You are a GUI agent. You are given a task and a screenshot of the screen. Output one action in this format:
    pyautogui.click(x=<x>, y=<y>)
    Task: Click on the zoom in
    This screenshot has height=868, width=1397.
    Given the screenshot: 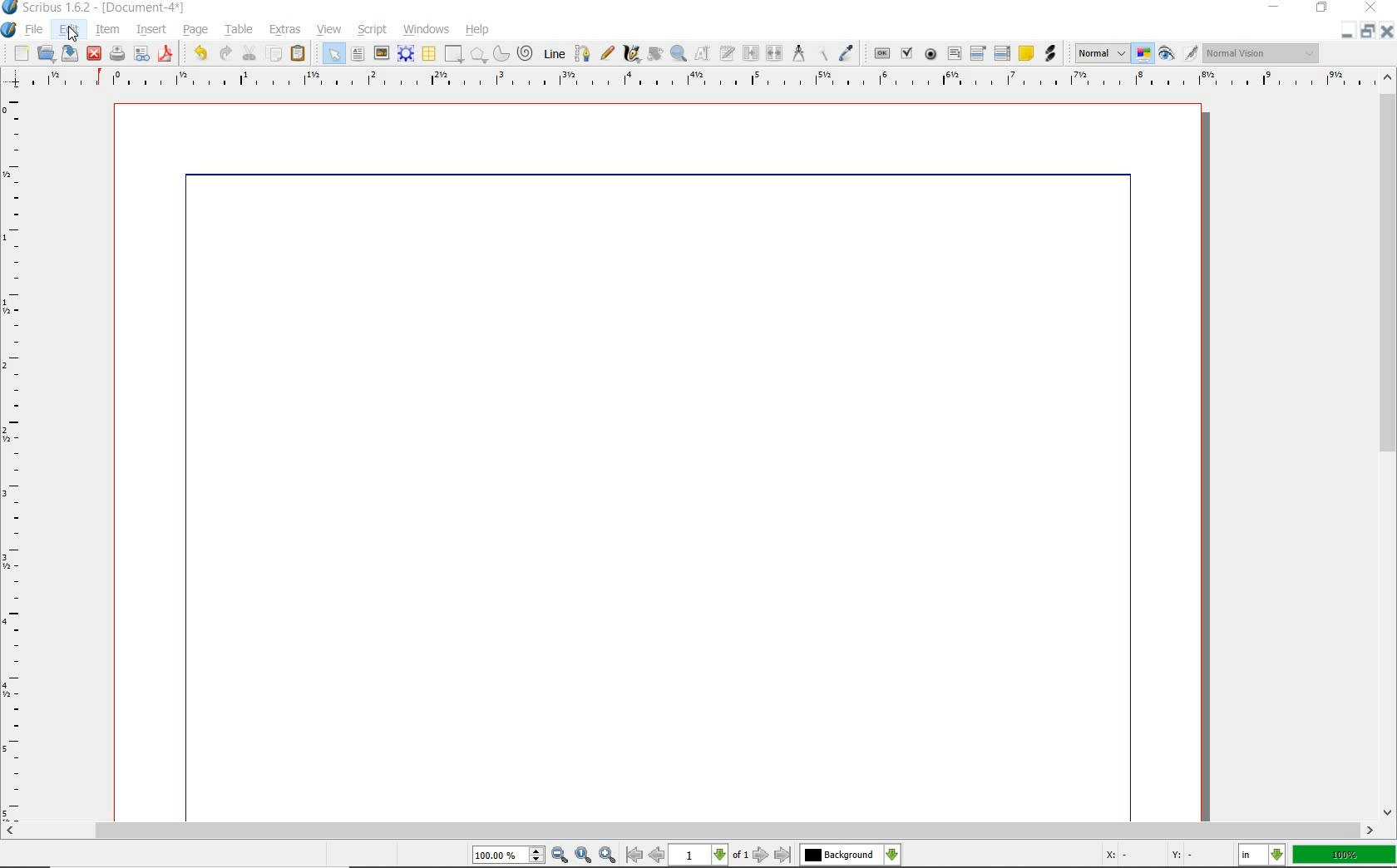 What is the action you would take?
    pyautogui.click(x=607, y=854)
    